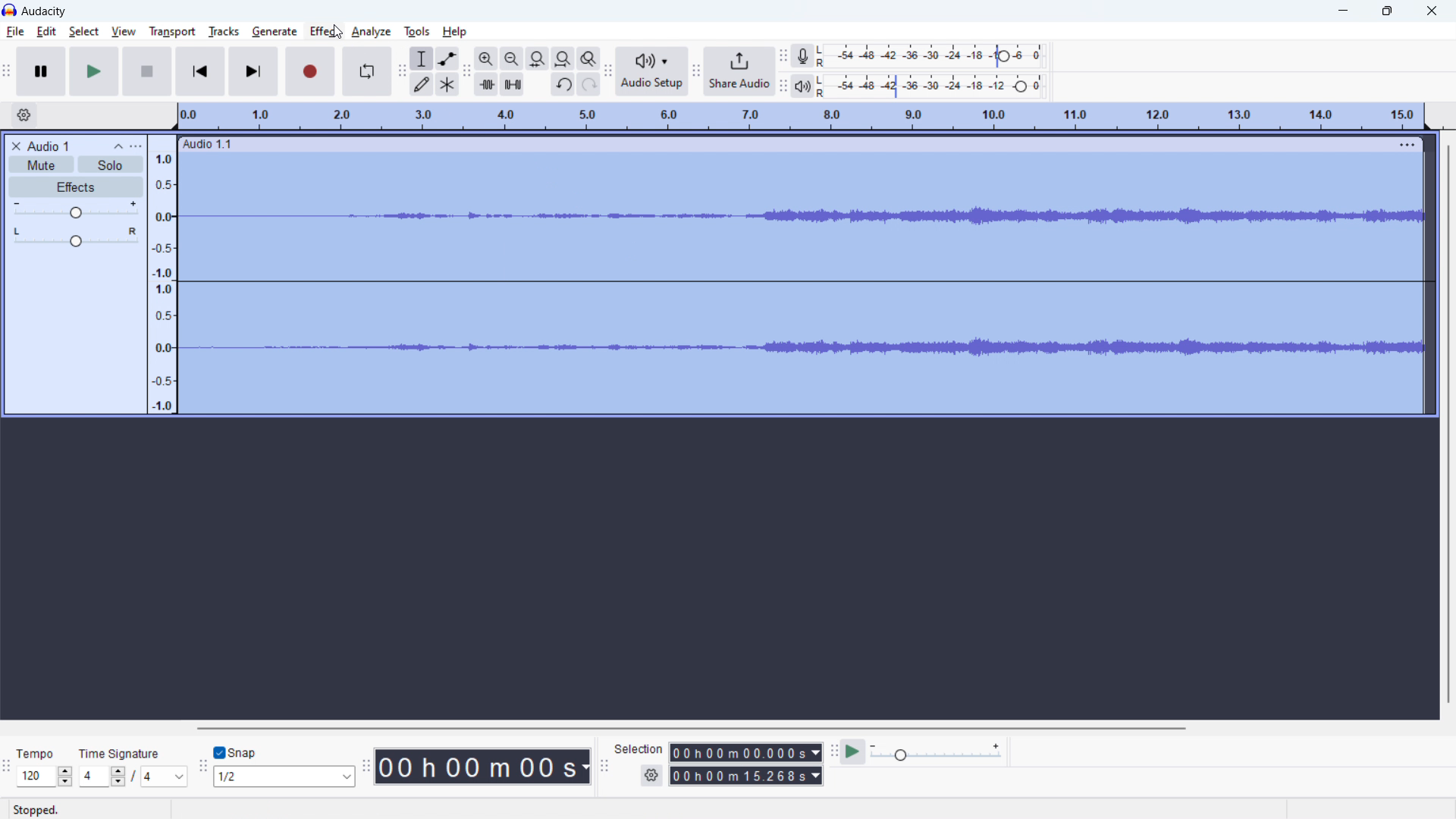 This screenshot has height=819, width=1456. Describe the element at coordinates (369, 773) in the screenshot. I see `time toolbar` at that location.